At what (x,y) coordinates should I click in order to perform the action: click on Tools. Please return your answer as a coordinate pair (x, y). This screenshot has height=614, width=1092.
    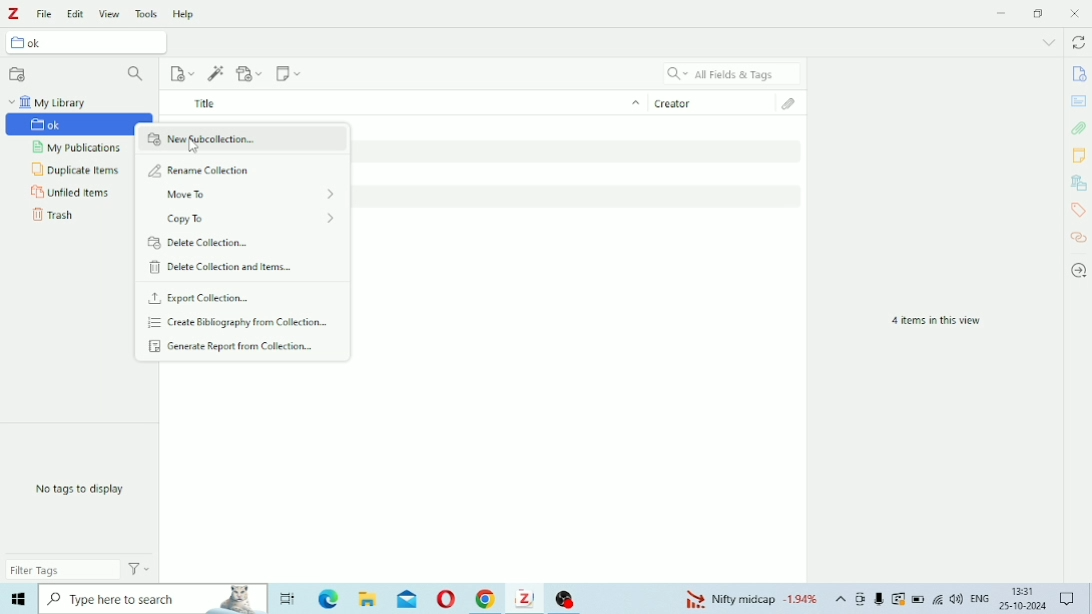
    Looking at the image, I should click on (147, 13).